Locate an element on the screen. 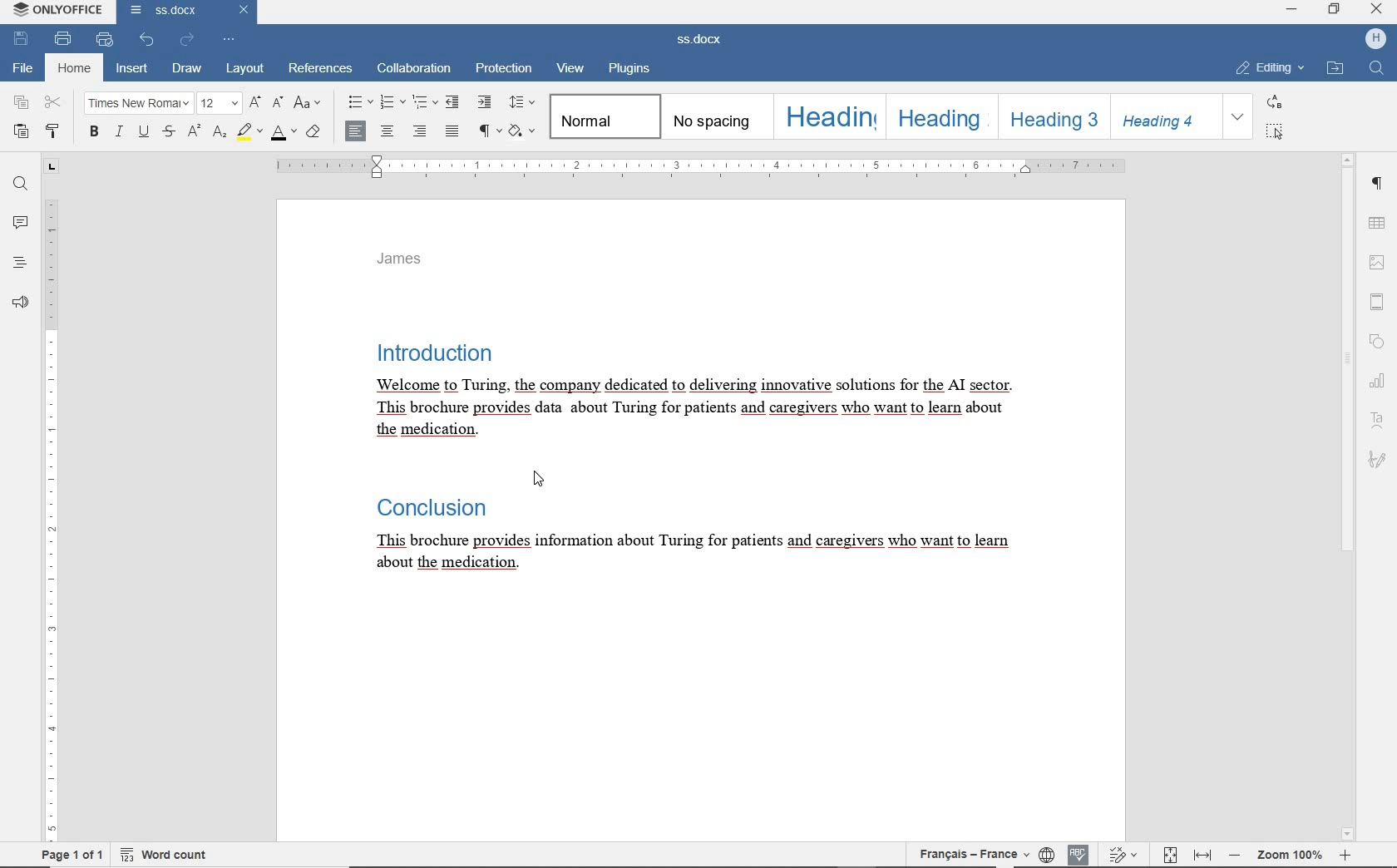 The height and width of the screenshot is (868, 1397). INCREASE INDENT is located at coordinates (486, 103).